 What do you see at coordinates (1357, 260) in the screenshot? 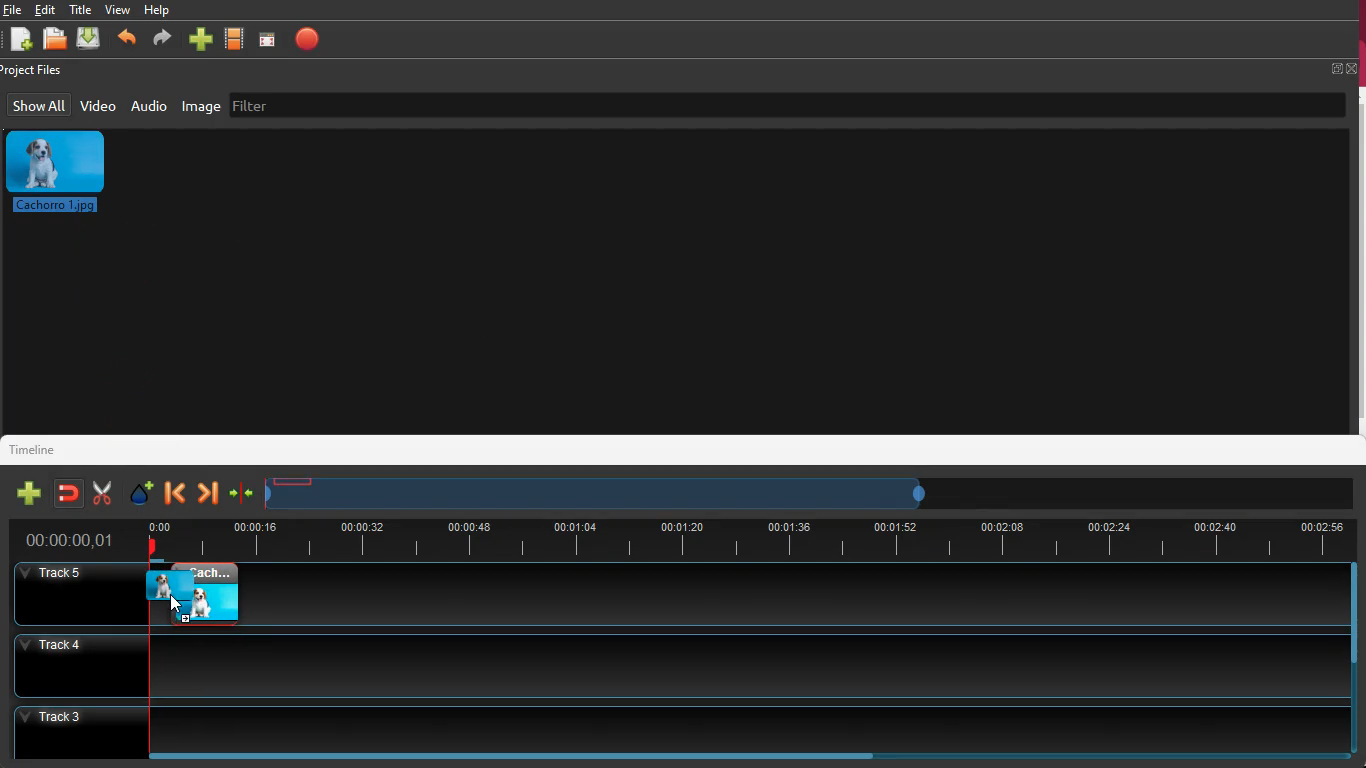
I see `vertical scroll bar` at bounding box center [1357, 260].